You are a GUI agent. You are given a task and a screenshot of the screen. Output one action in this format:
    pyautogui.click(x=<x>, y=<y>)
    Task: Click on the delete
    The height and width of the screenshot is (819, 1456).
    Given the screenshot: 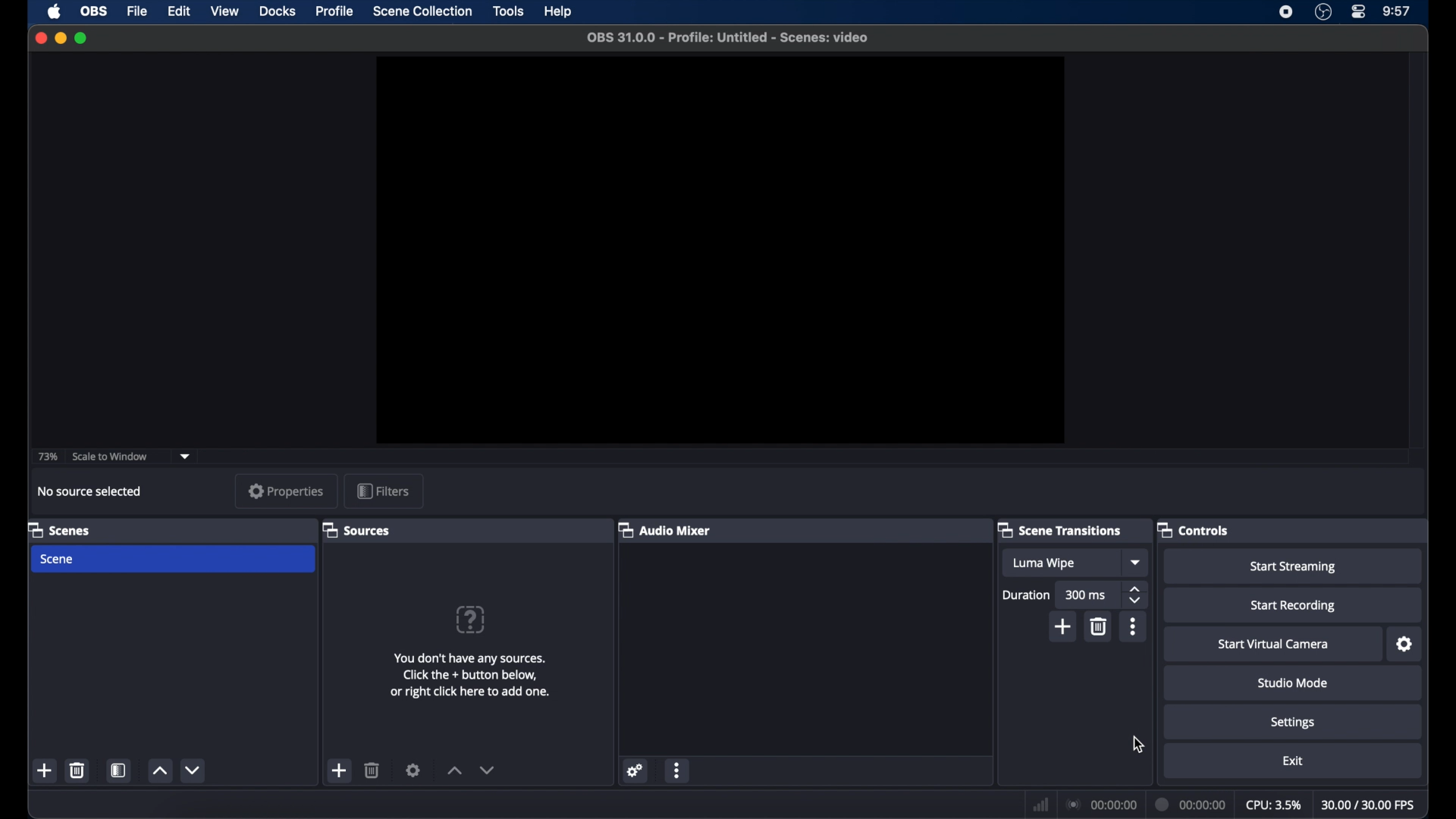 What is the action you would take?
    pyautogui.click(x=373, y=770)
    